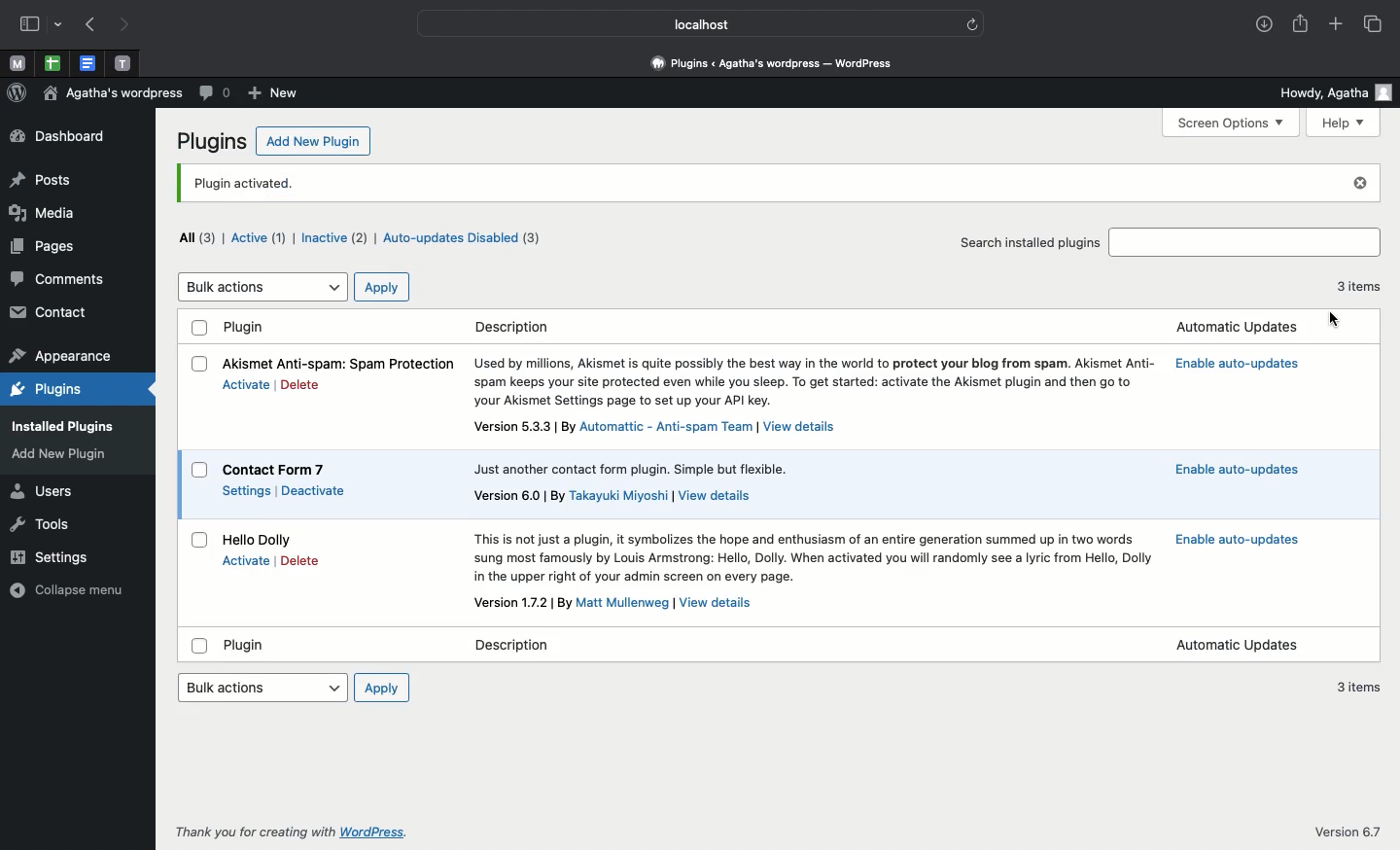  I want to click on Apply, so click(382, 687).